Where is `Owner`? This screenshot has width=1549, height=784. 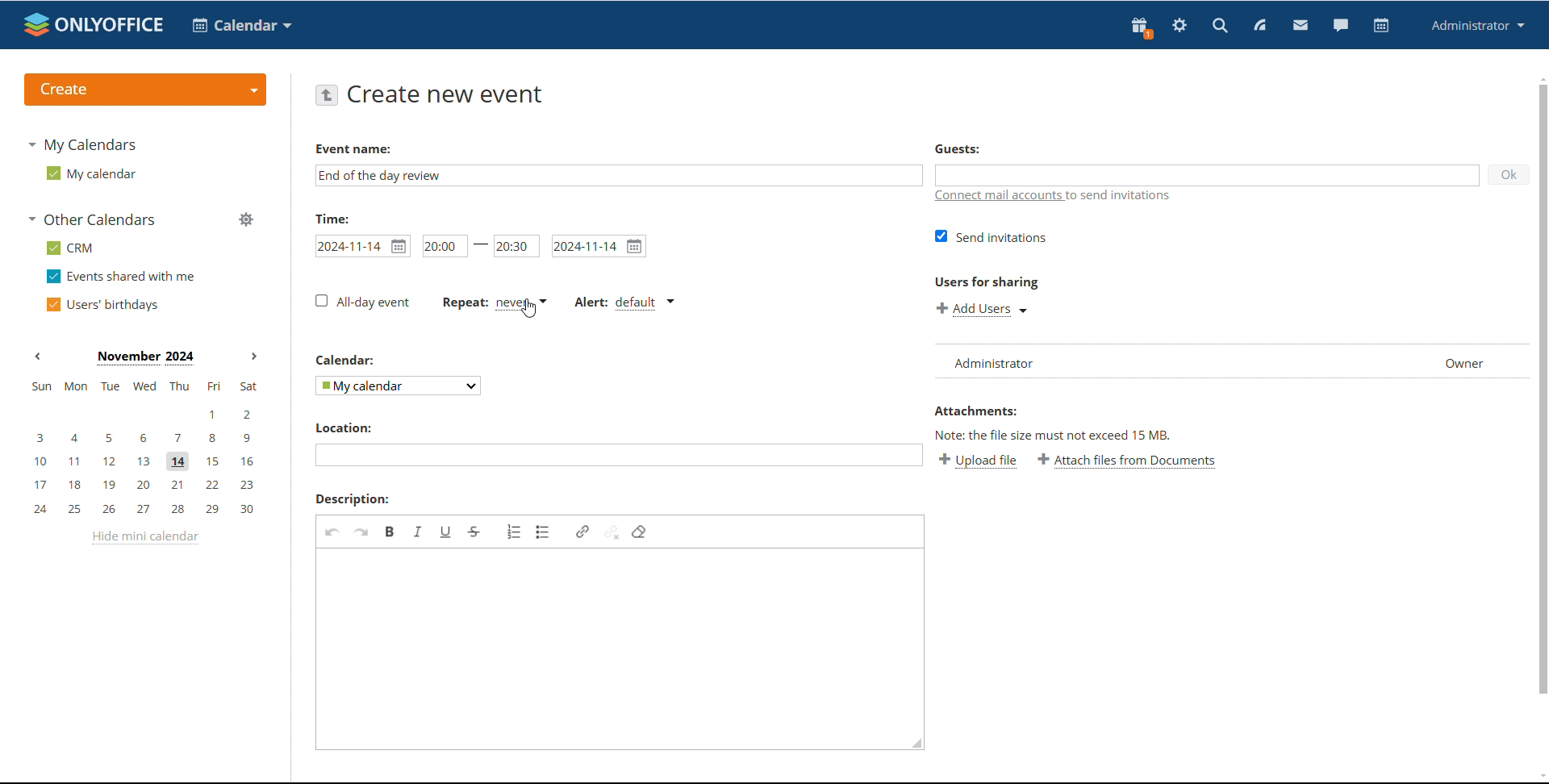 Owner is located at coordinates (1464, 362).